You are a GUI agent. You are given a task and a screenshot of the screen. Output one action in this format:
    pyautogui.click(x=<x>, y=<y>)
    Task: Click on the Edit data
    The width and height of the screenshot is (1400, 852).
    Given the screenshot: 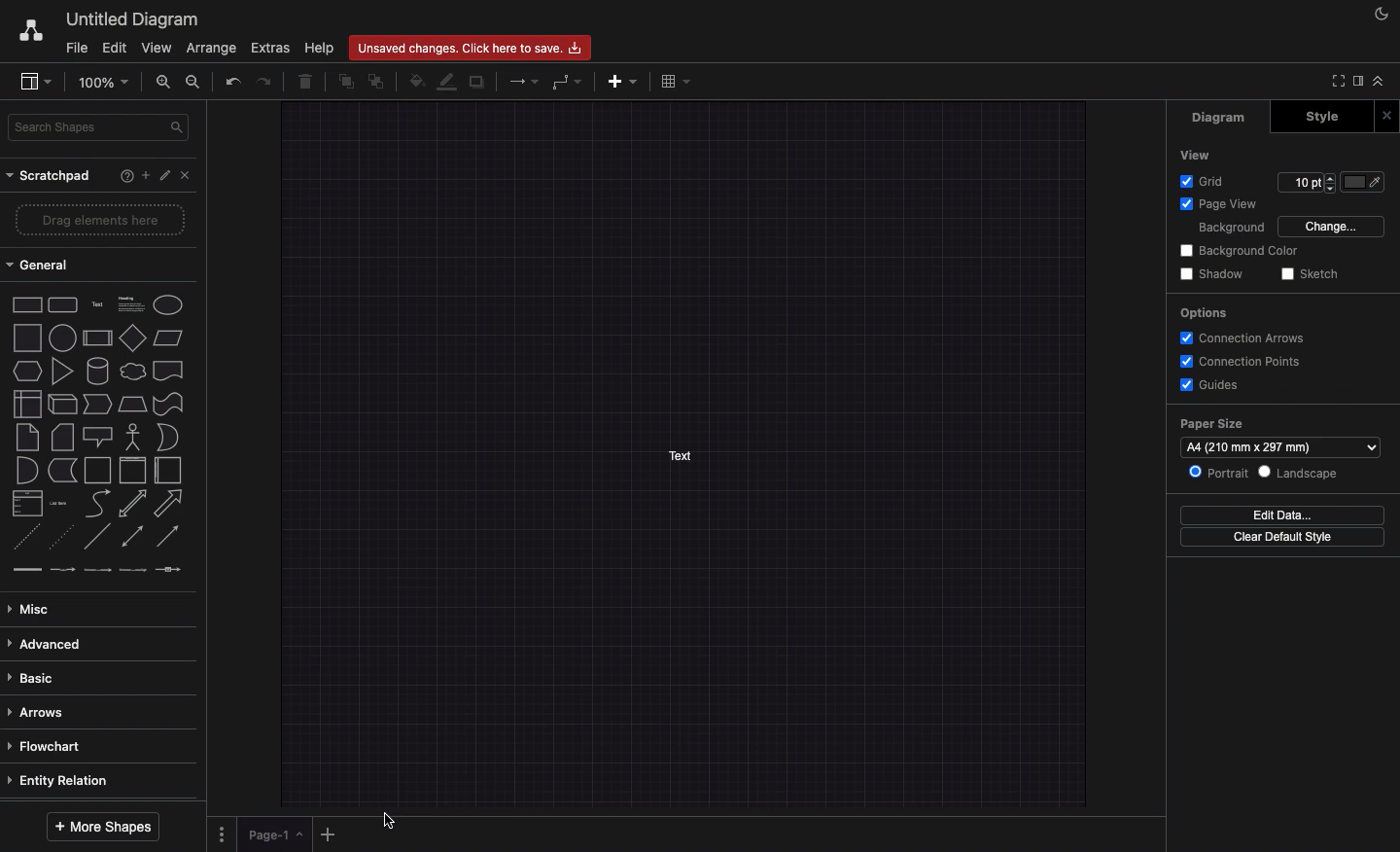 What is the action you would take?
    pyautogui.click(x=1281, y=516)
    